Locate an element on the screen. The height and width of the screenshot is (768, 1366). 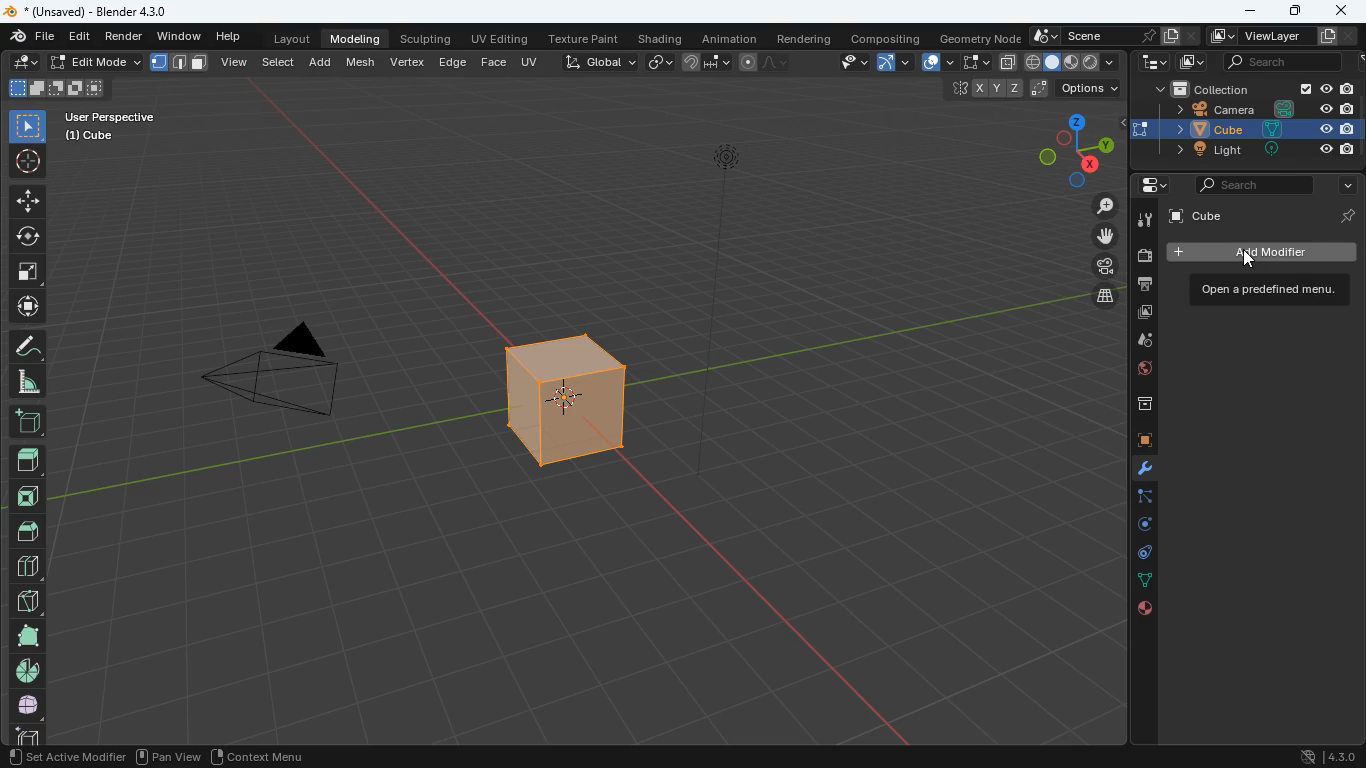
uv editing is located at coordinates (500, 38).